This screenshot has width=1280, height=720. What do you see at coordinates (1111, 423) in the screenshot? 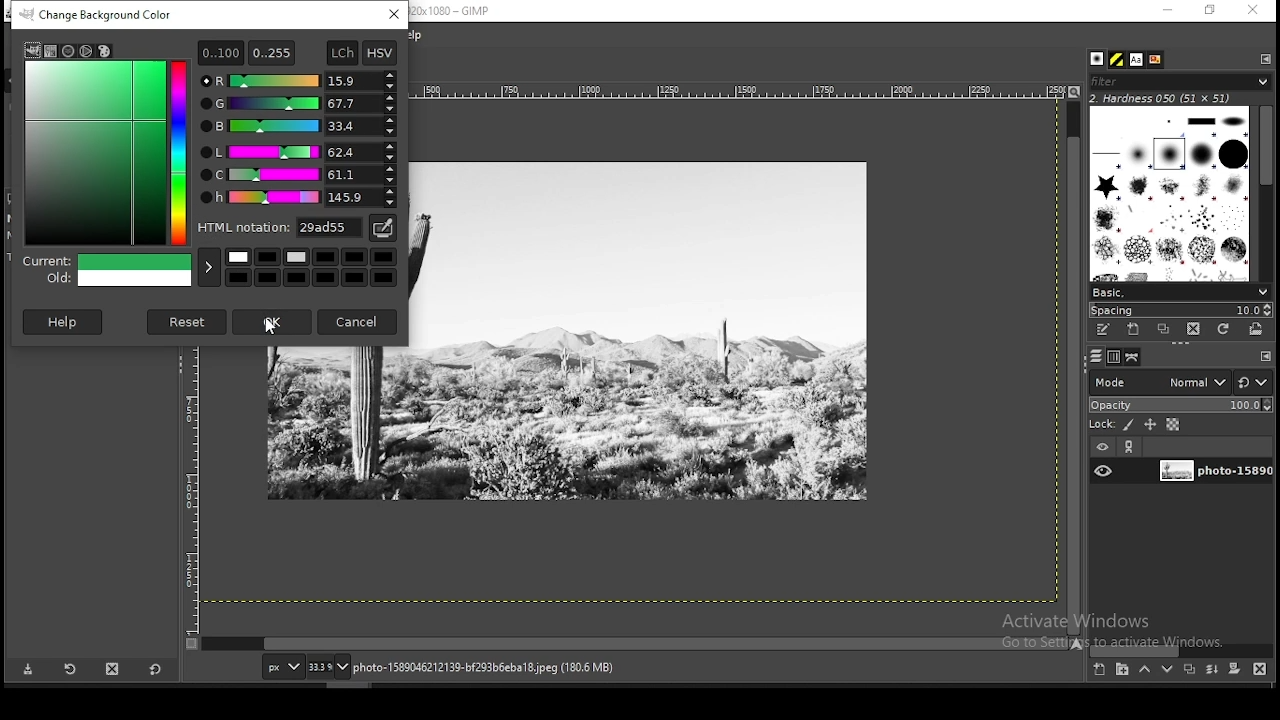
I see `lock pixels` at bounding box center [1111, 423].